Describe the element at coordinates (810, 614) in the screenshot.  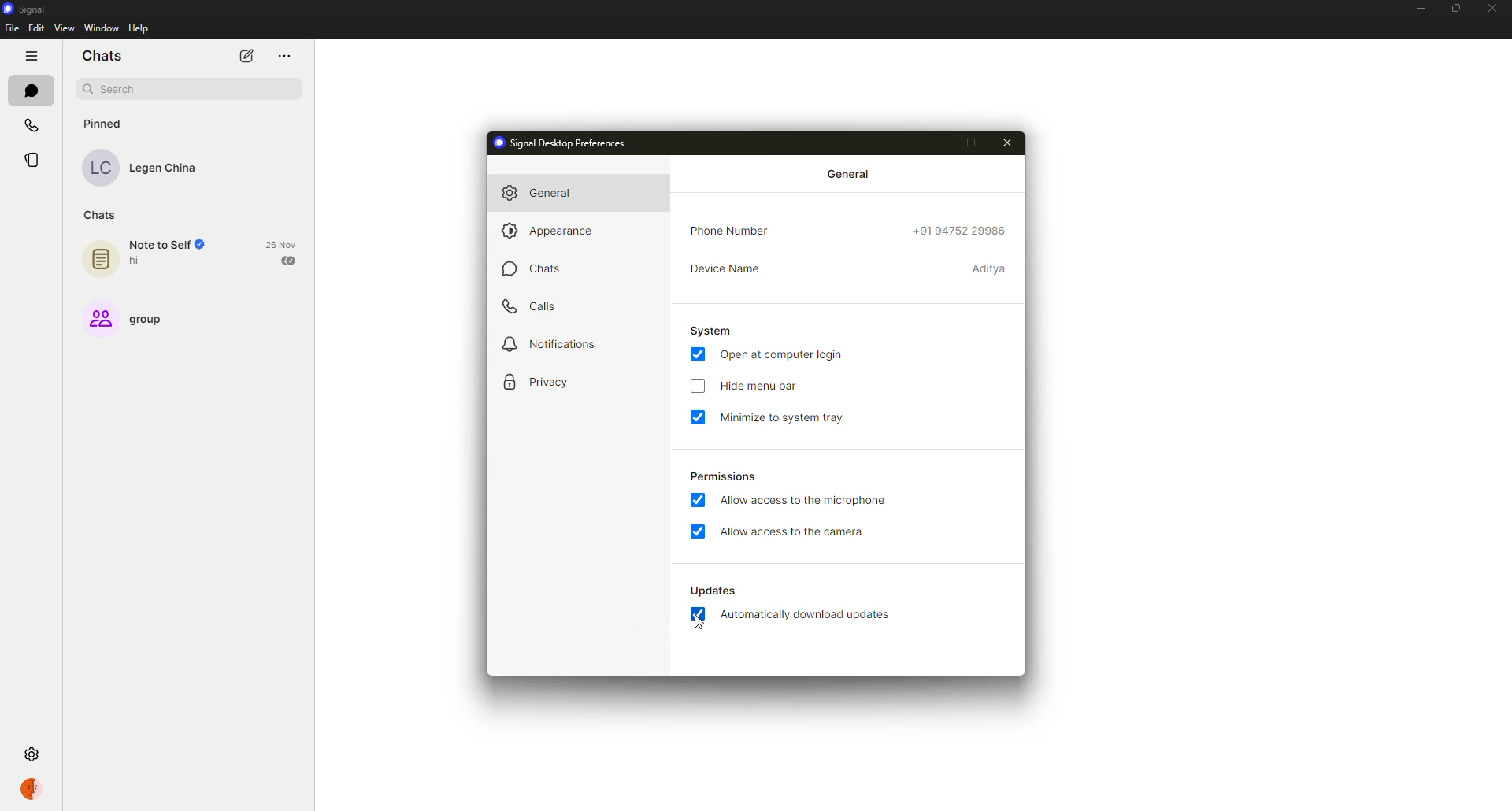
I see `automatically download updates` at that location.